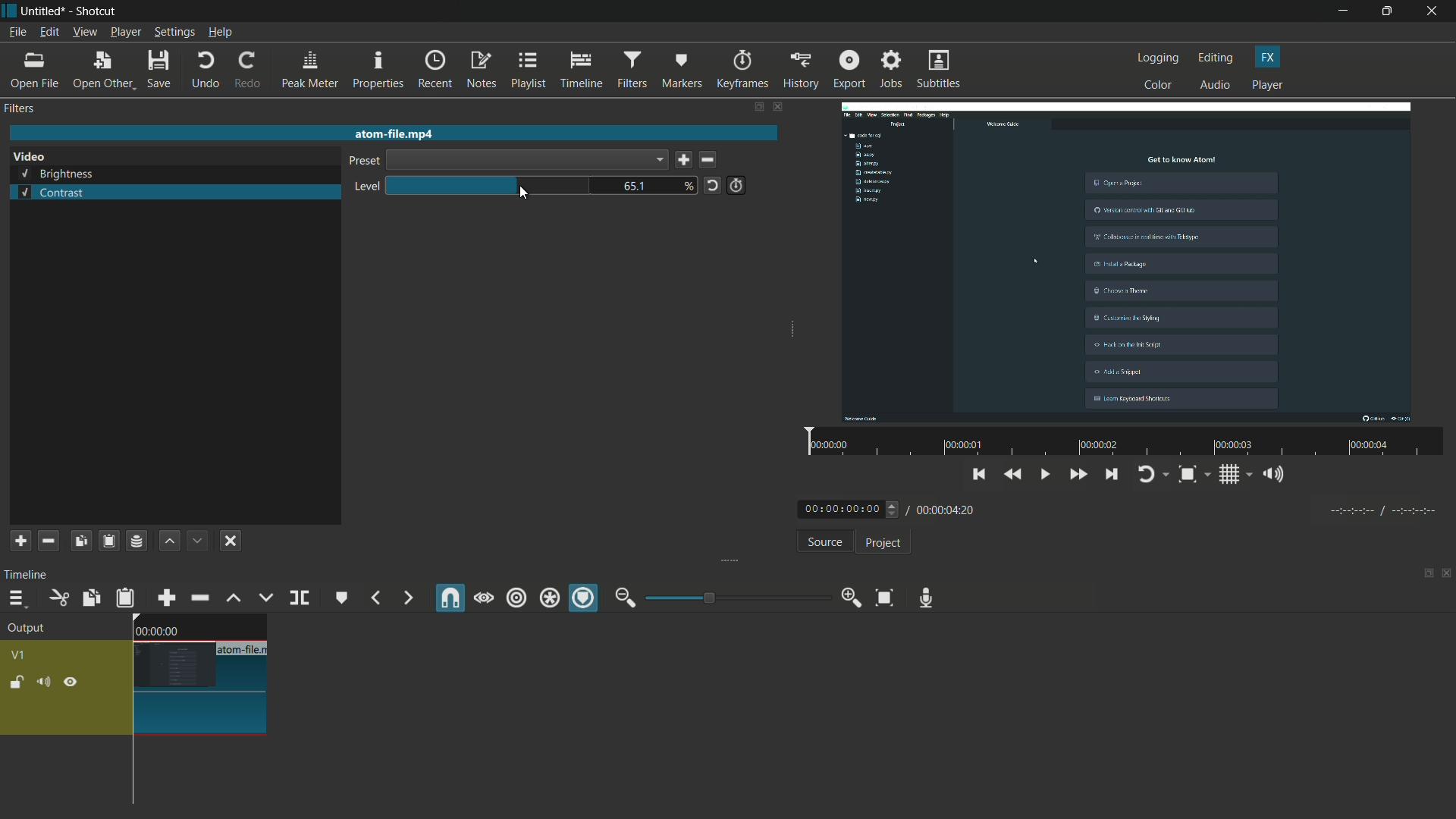 Image resolution: width=1456 pixels, height=819 pixels. What do you see at coordinates (84, 32) in the screenshot?
I see `view menu` at bounding box center [84, 32].